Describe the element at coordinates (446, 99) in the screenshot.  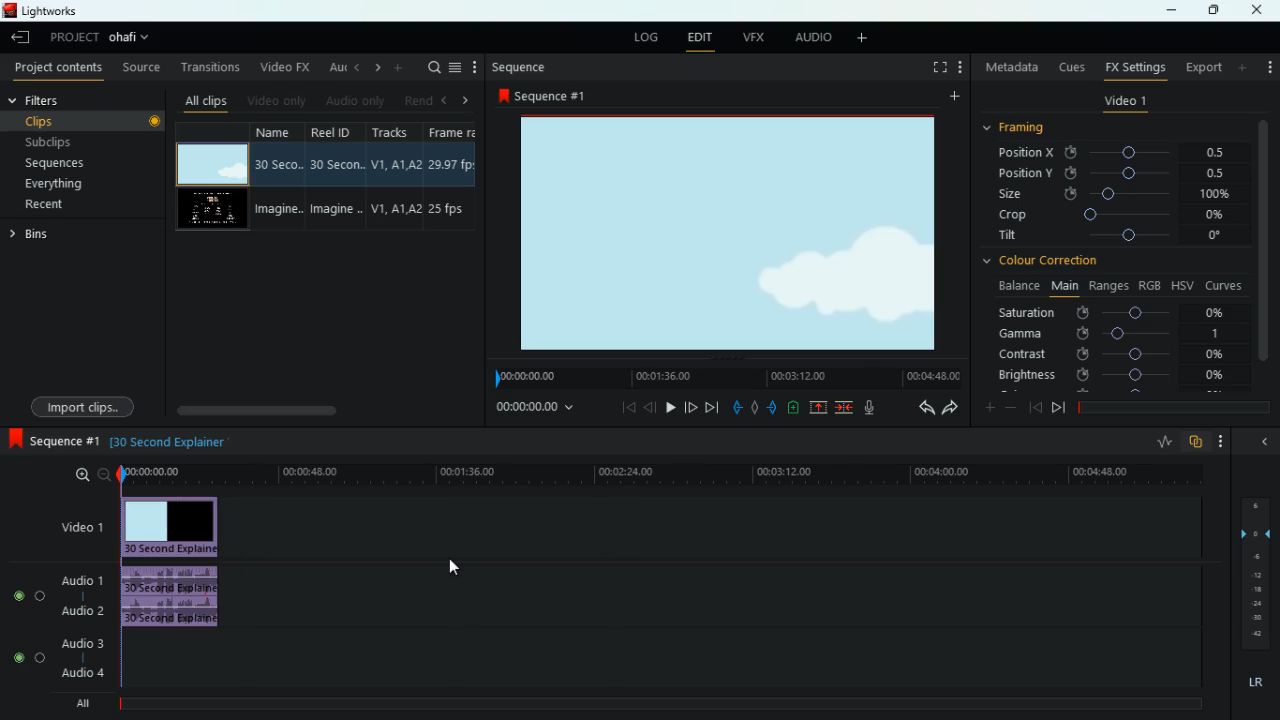
I see `left` at that location.